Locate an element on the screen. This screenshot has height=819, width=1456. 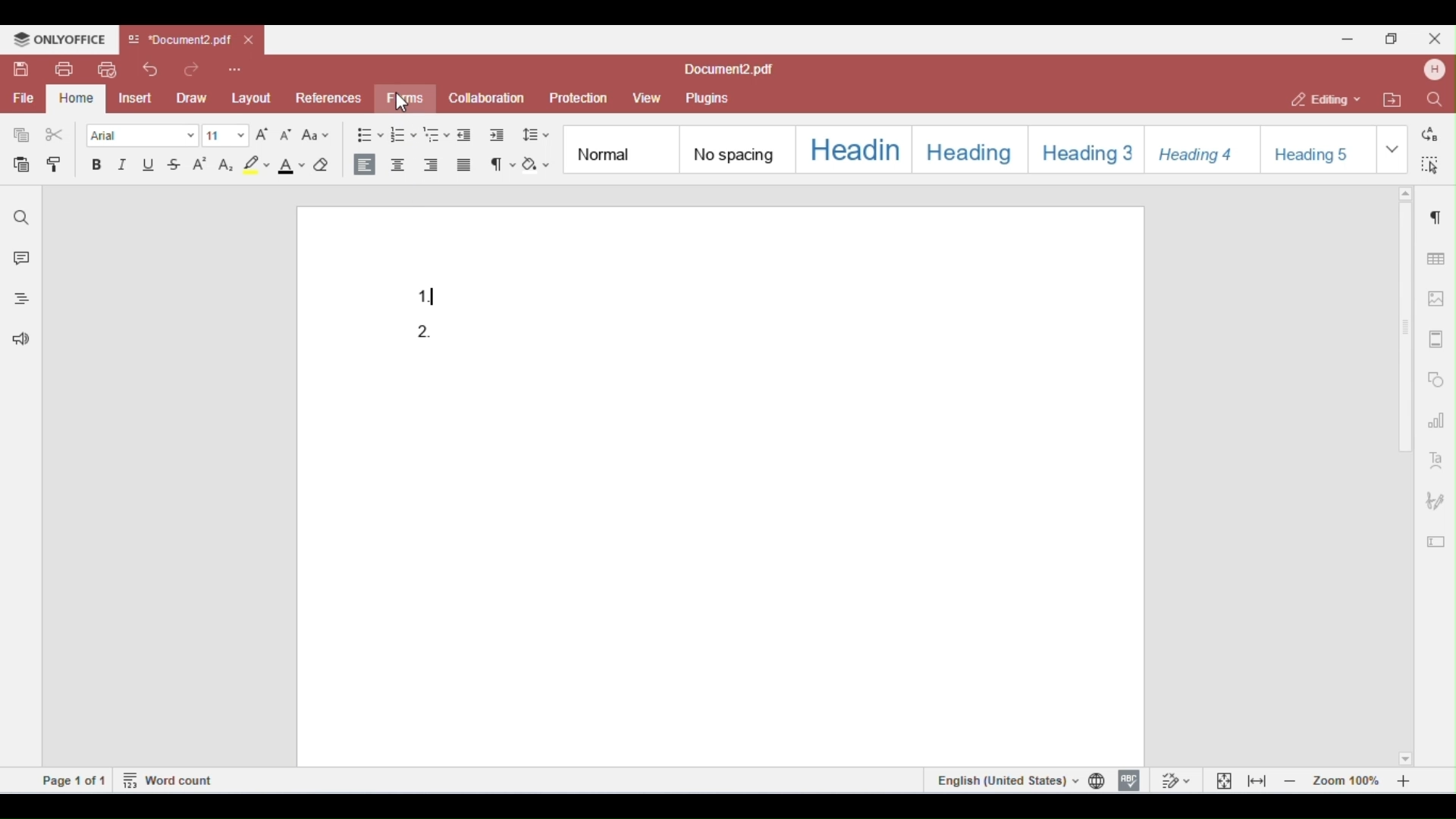
plugins is located at coordinates (706, 99).